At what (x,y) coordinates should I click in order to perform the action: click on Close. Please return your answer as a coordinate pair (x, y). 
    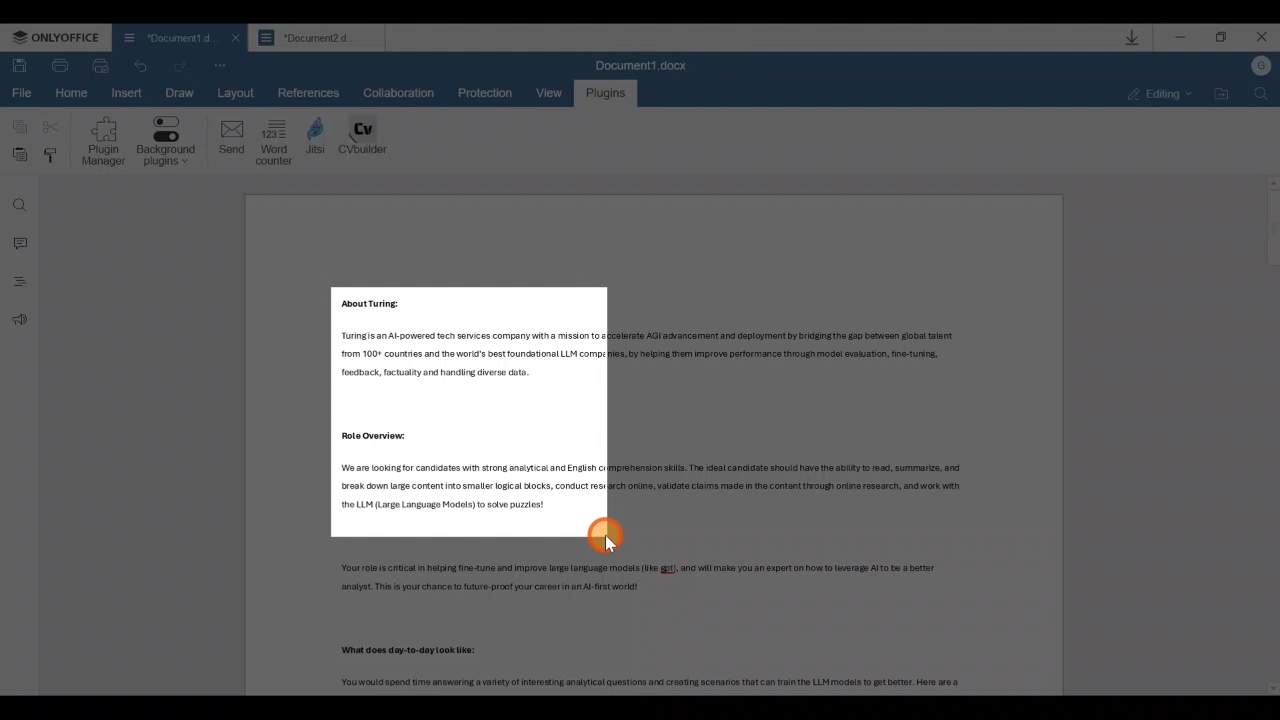
    Looking at the image, I should click on (1262, 40).